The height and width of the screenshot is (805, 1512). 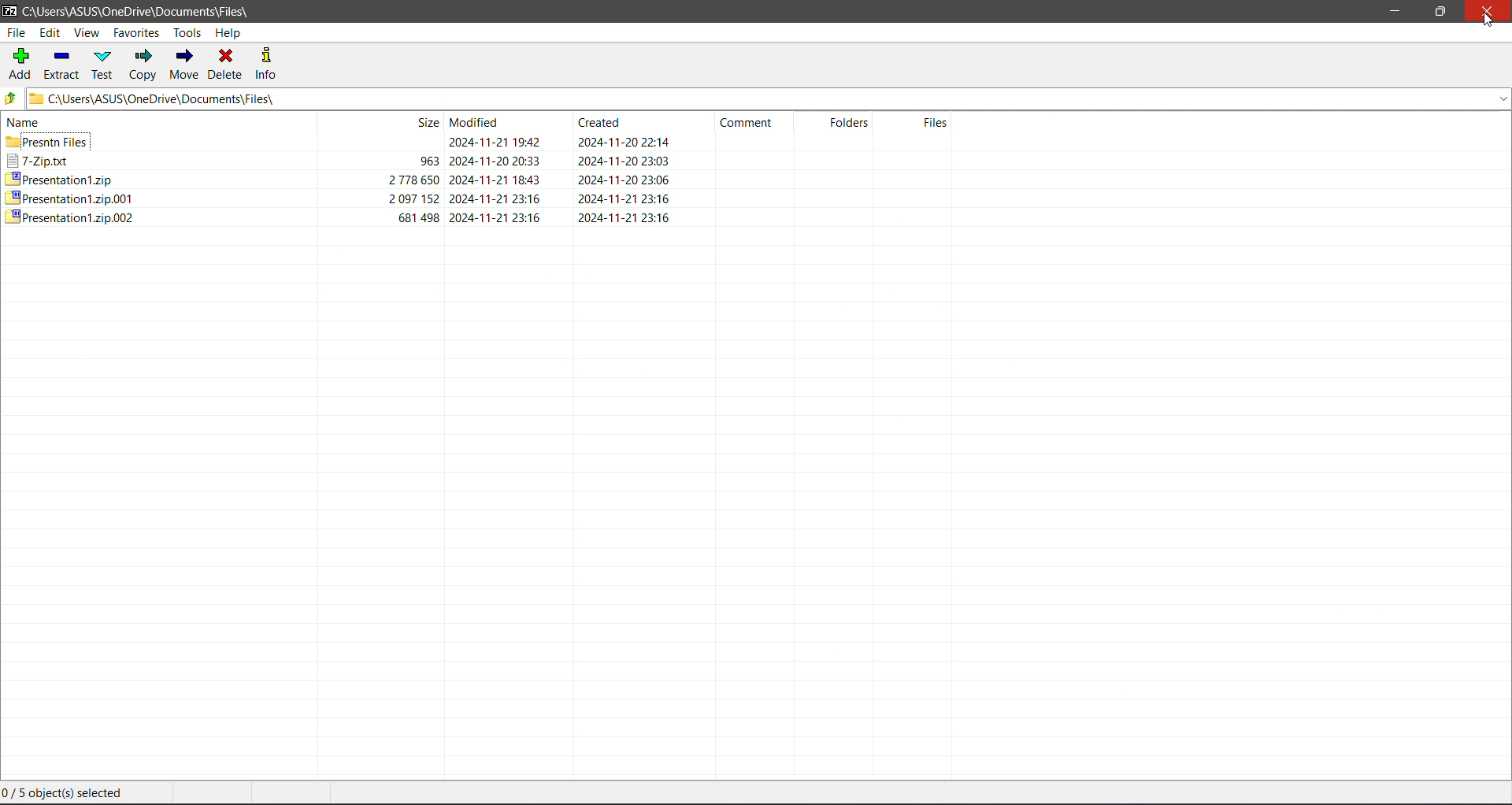 What do you see at coordinates (11, 98) in the screenshot?
I see `Move Up one level` at bounding box center [11, 98].